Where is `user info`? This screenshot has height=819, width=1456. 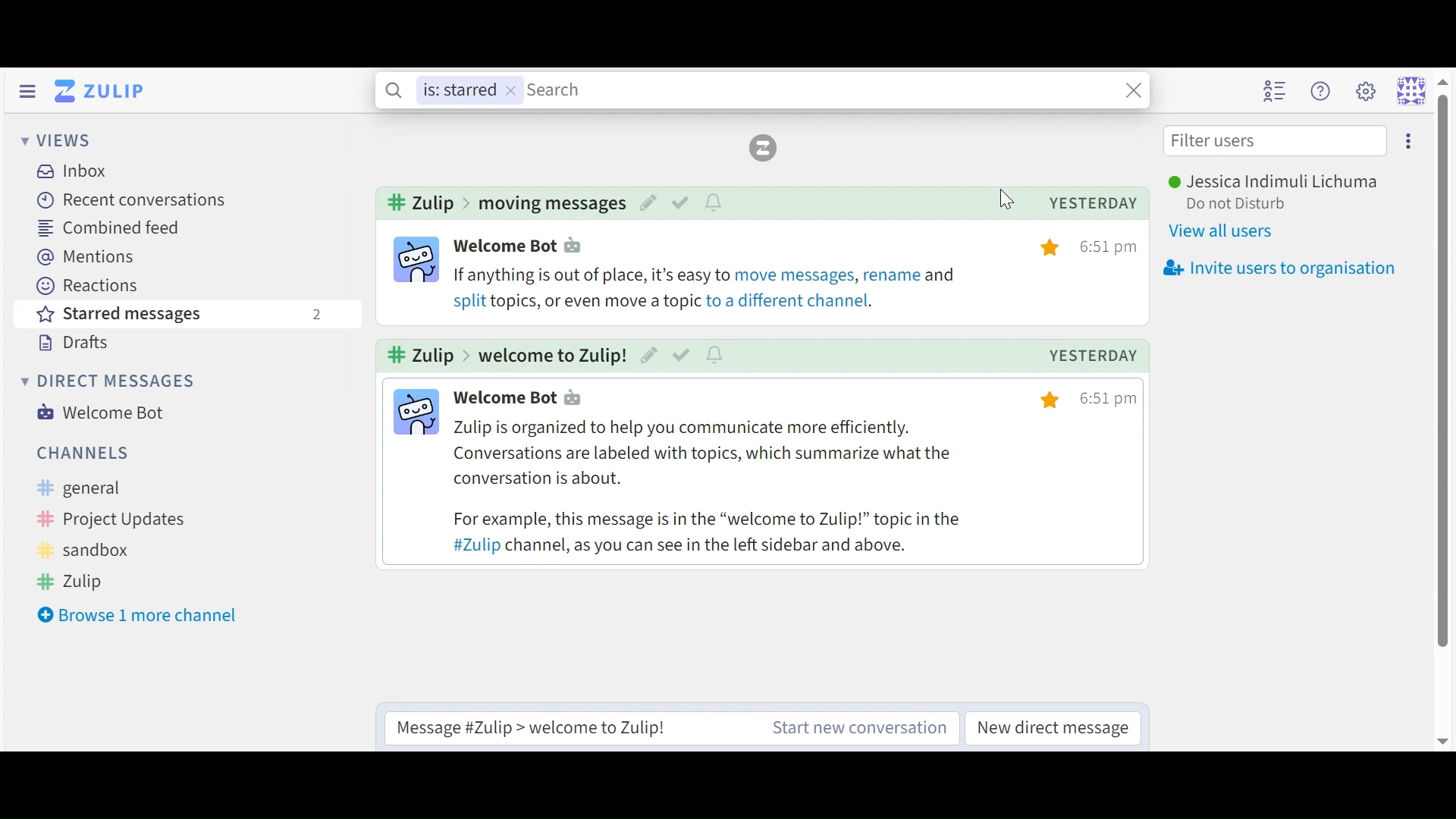
user info is located at coordinates (414, 412).